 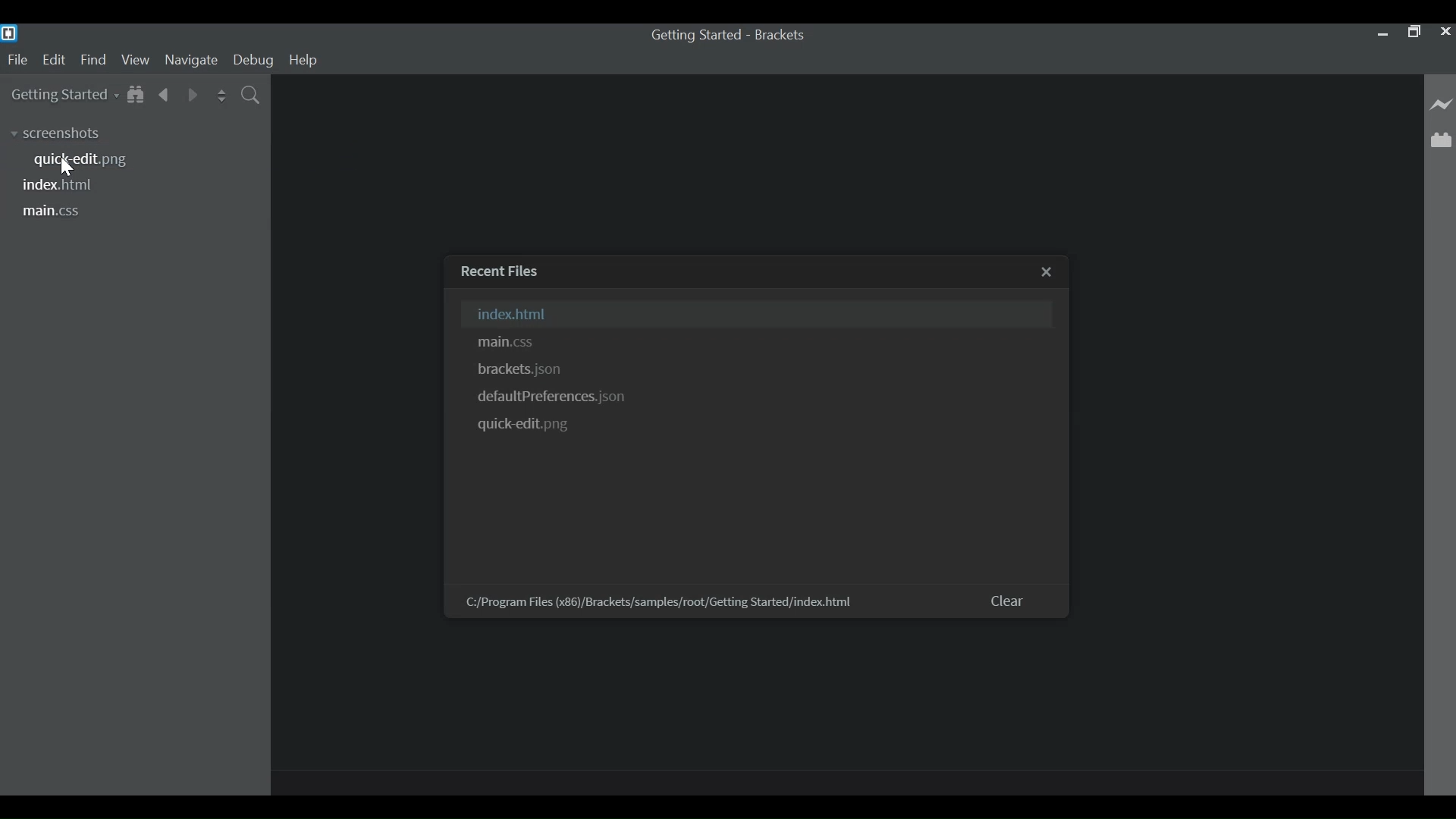 I want to click on Navigate, so click(x=192, y=60).